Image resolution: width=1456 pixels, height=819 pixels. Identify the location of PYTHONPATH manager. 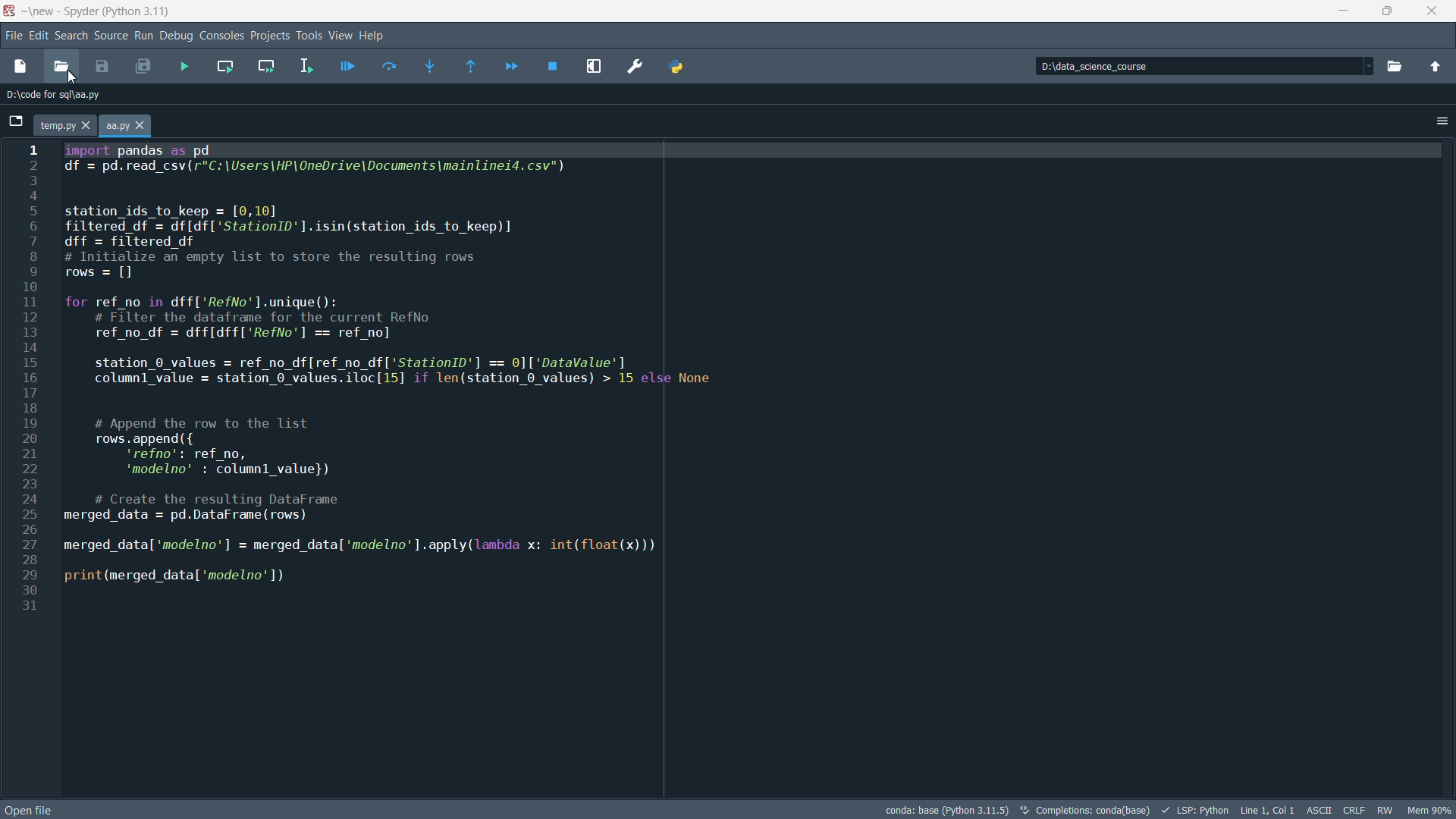
(681, 64).